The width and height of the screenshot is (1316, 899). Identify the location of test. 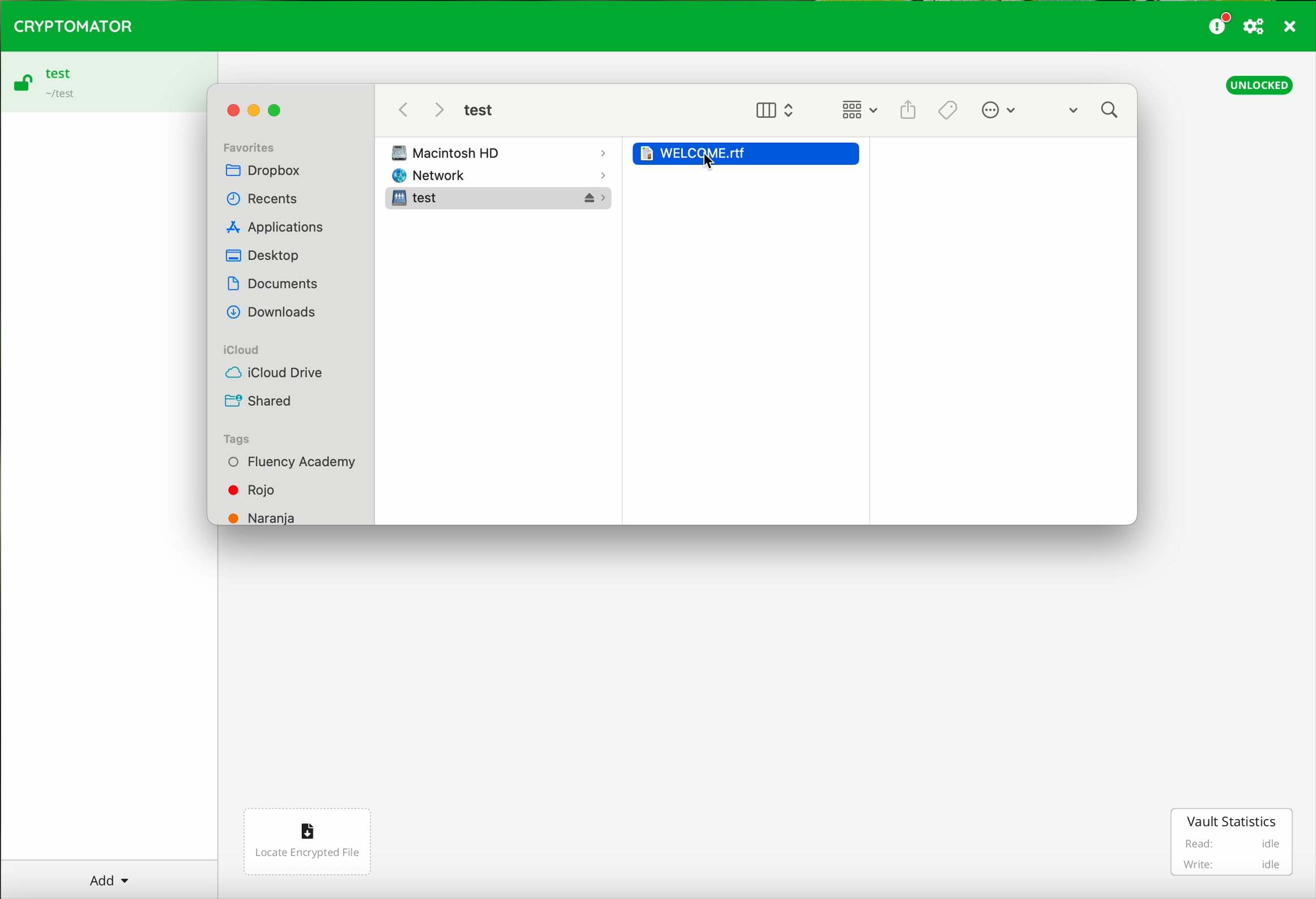
(478, 110).